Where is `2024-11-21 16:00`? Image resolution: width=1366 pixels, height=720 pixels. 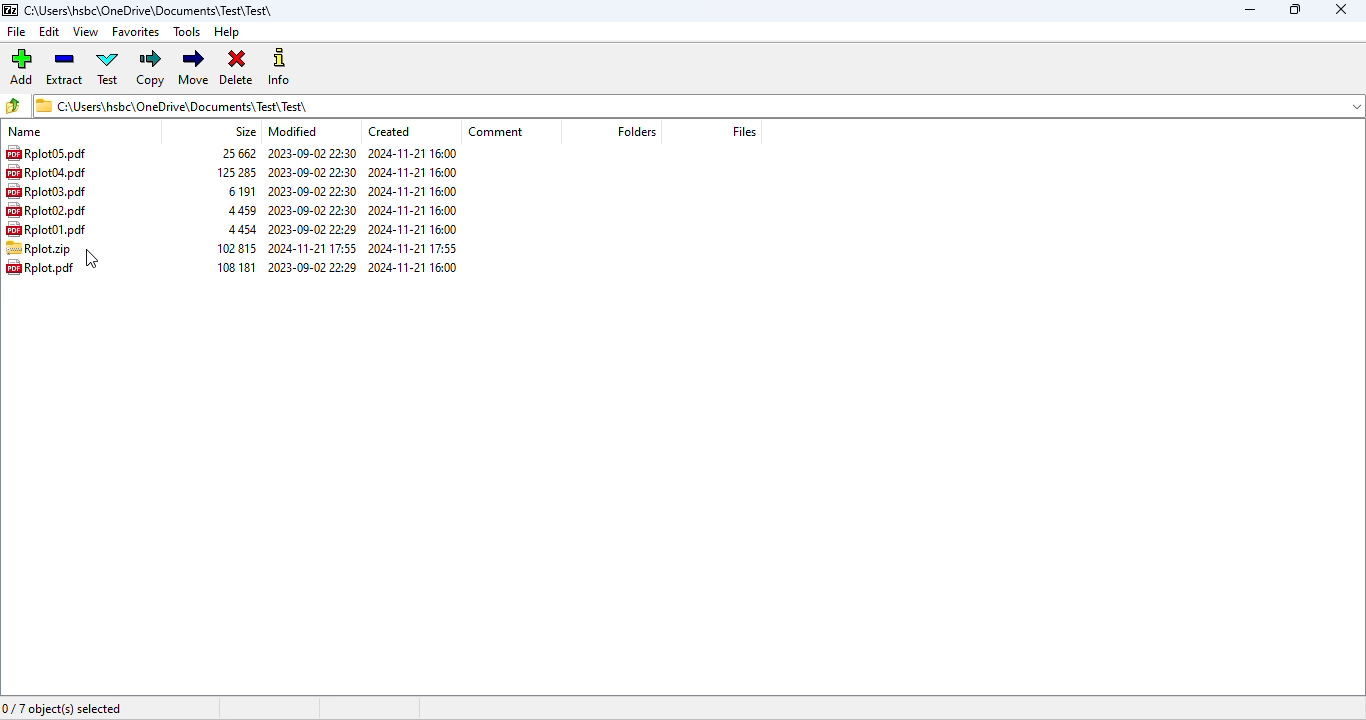 2024-11-21 16:00 is located at coordinates (414, 172).